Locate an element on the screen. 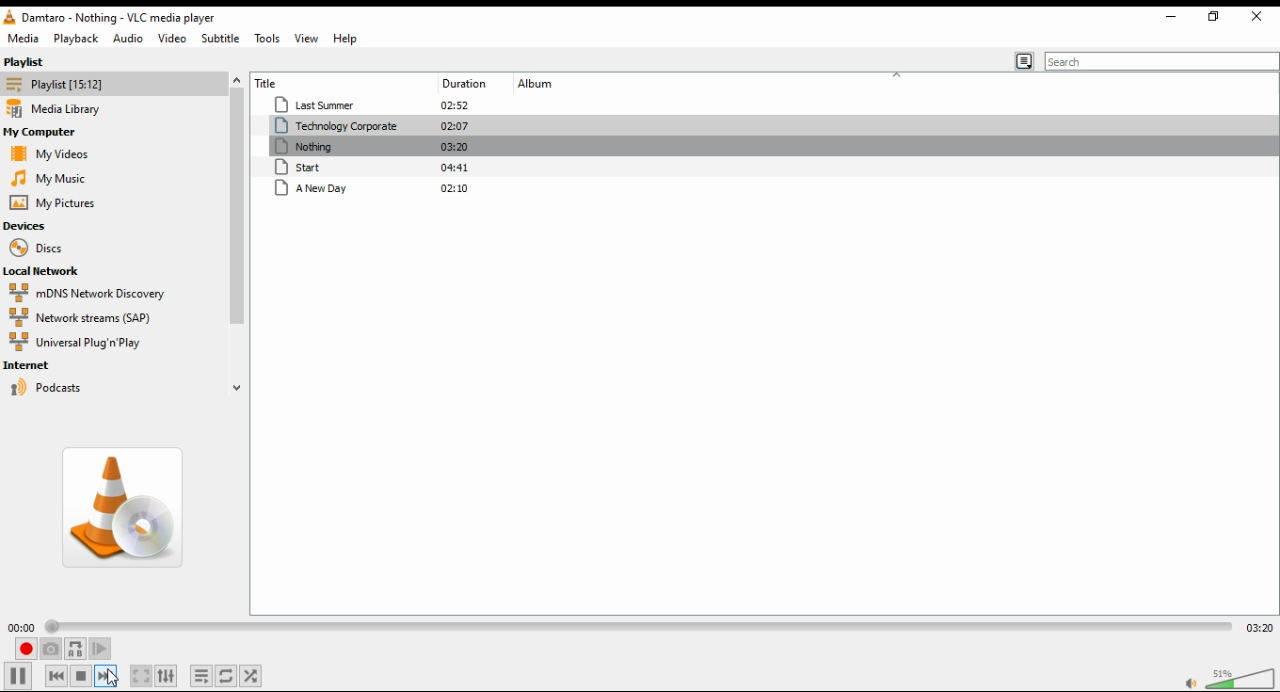  03:20 is located at coordinates (1260, 628).